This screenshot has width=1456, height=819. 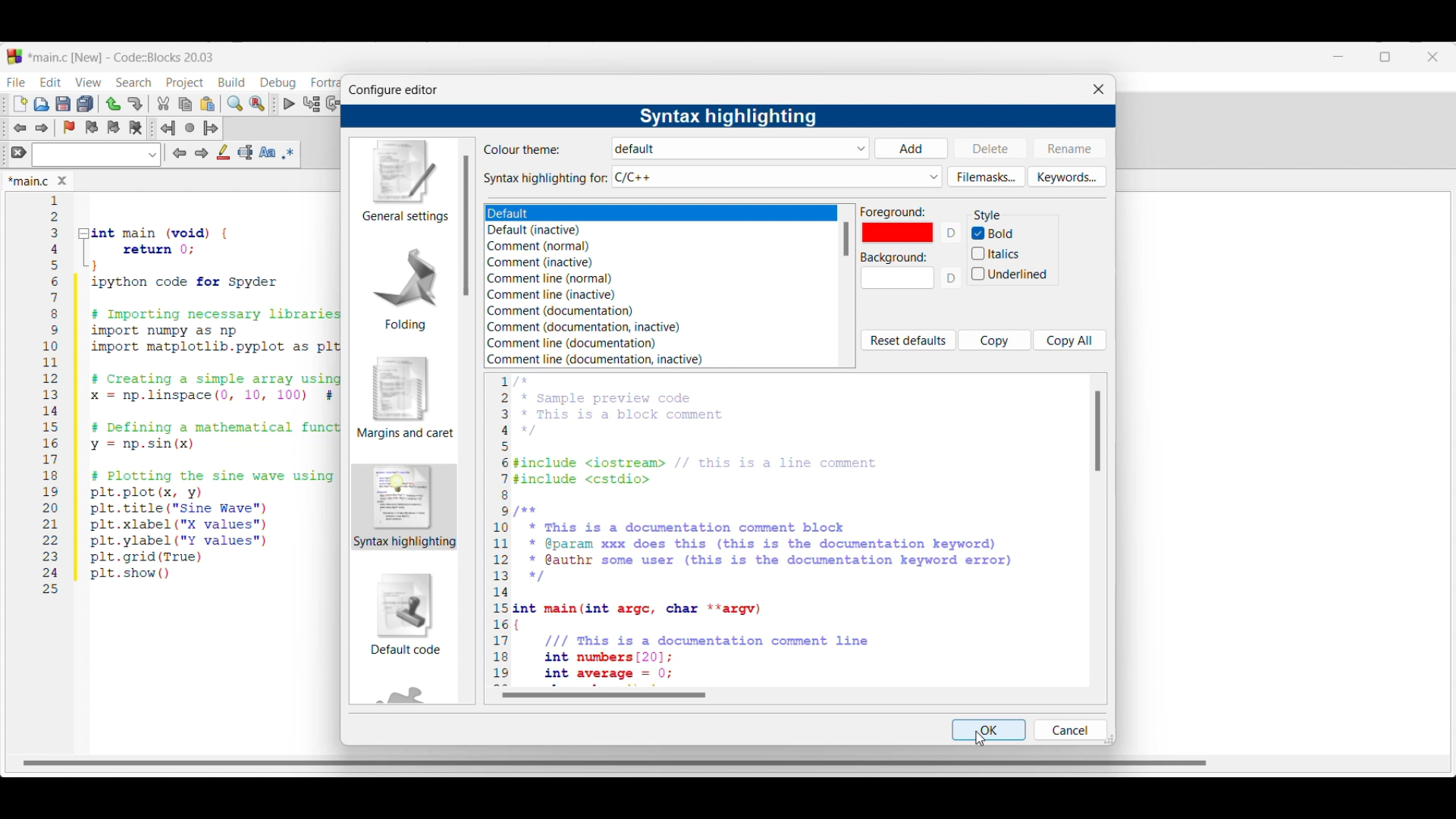 What do you see at coordinates (257, 104) in the screenshot?
I see `Replace` at bounding box center [257, 104].